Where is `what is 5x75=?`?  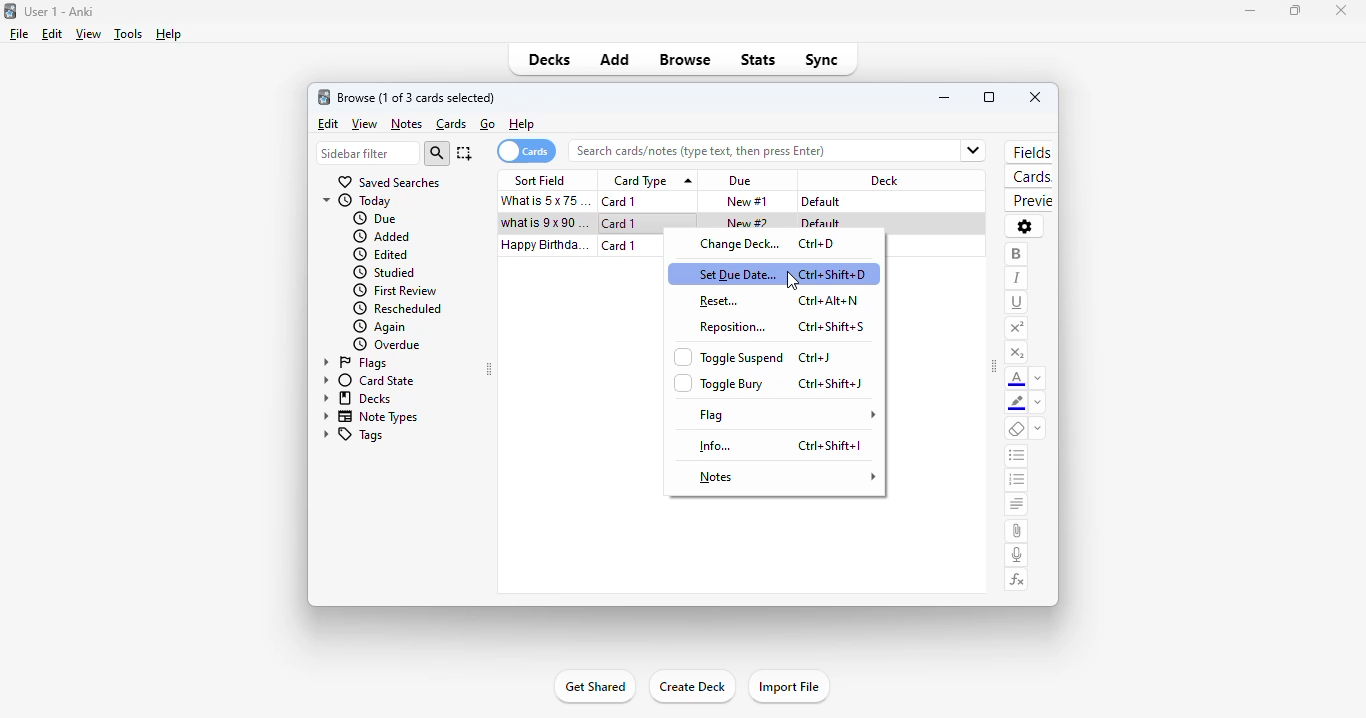
what is 5x75=? is located at coordinates (548, 200).